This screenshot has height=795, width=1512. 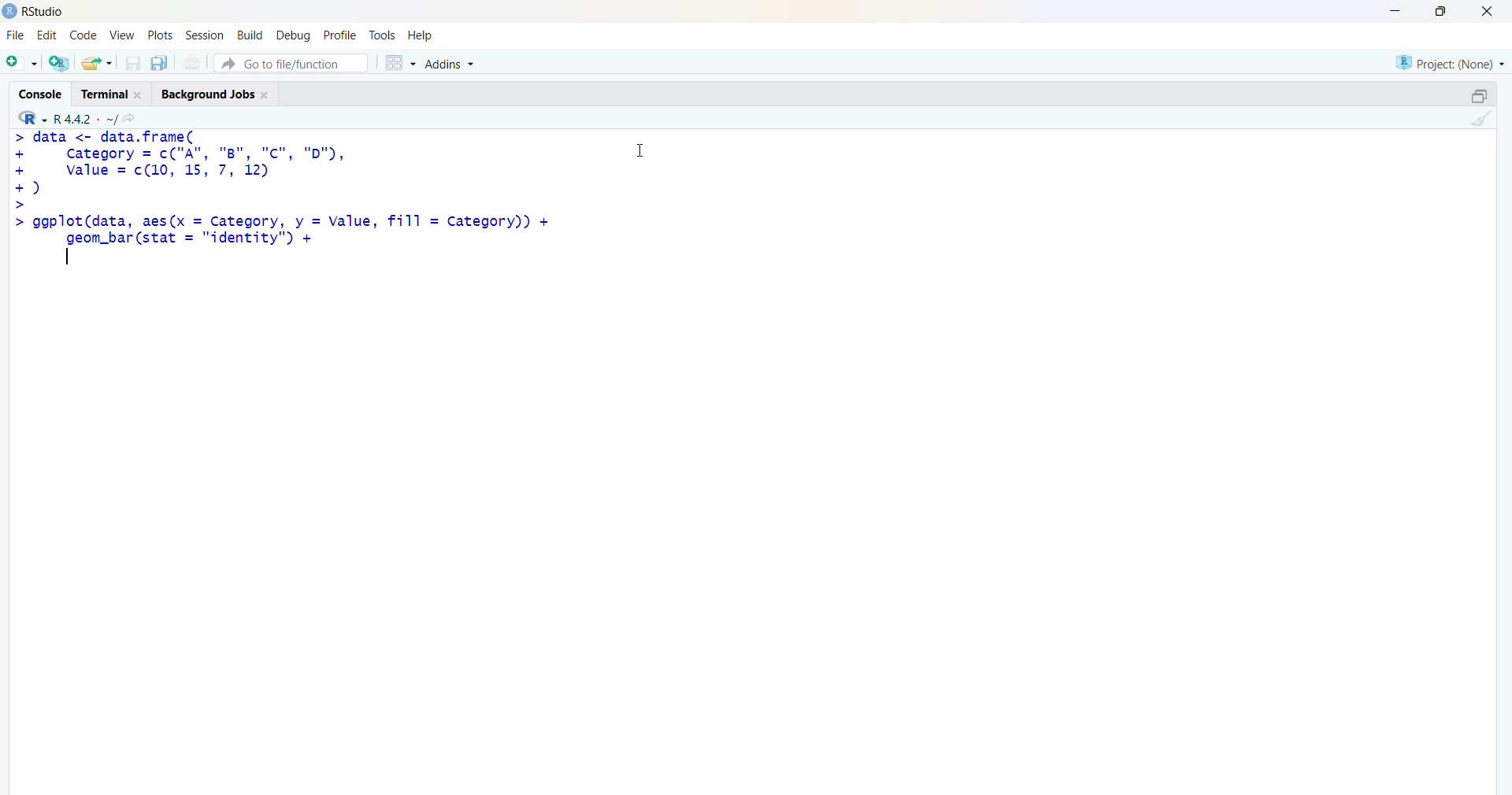 What do you see at coordinates (453, 65) in the screenshot?
I see `Addins` at bounding box center [453, 65].